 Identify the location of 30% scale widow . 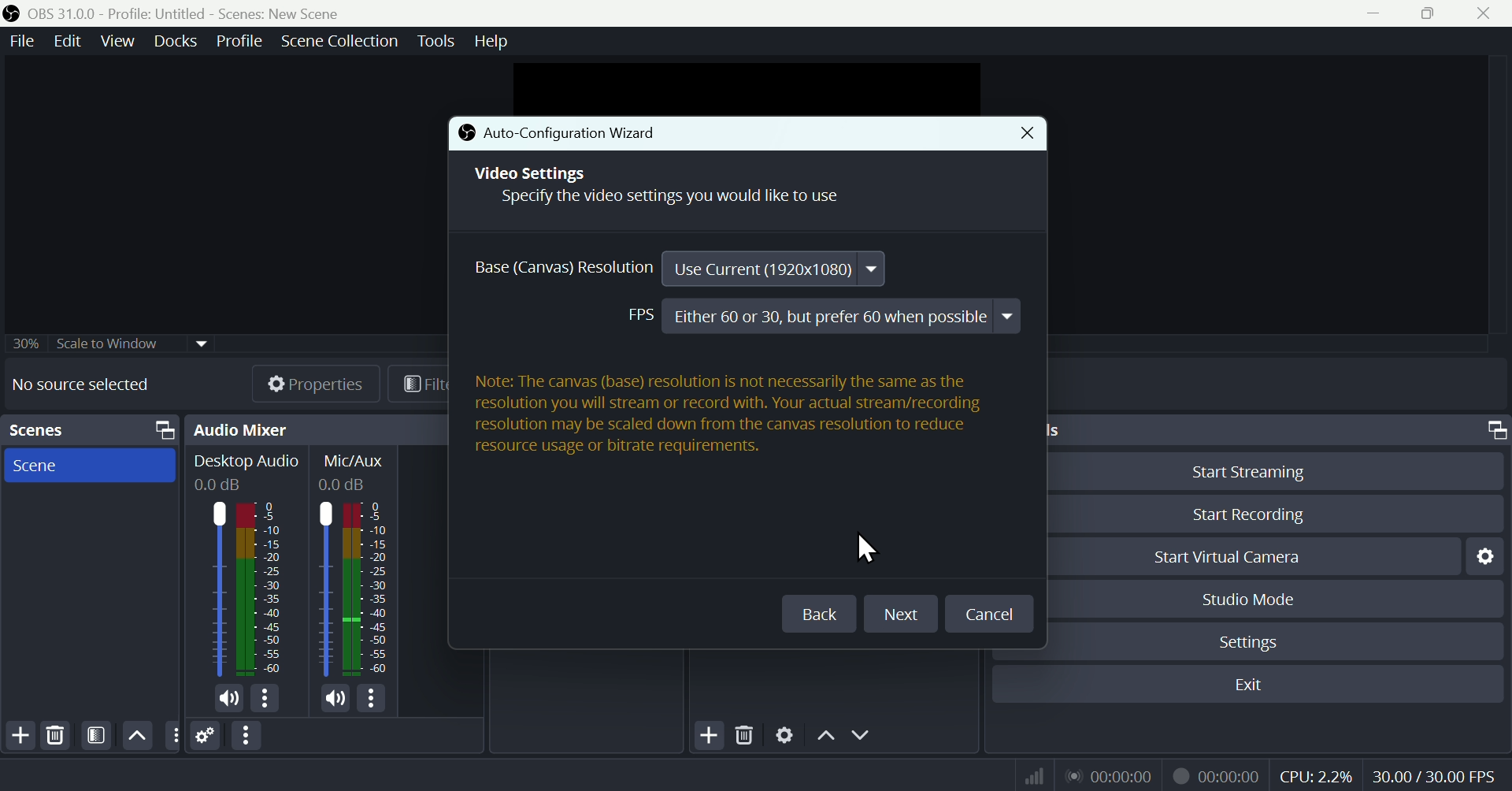
(132, 342).